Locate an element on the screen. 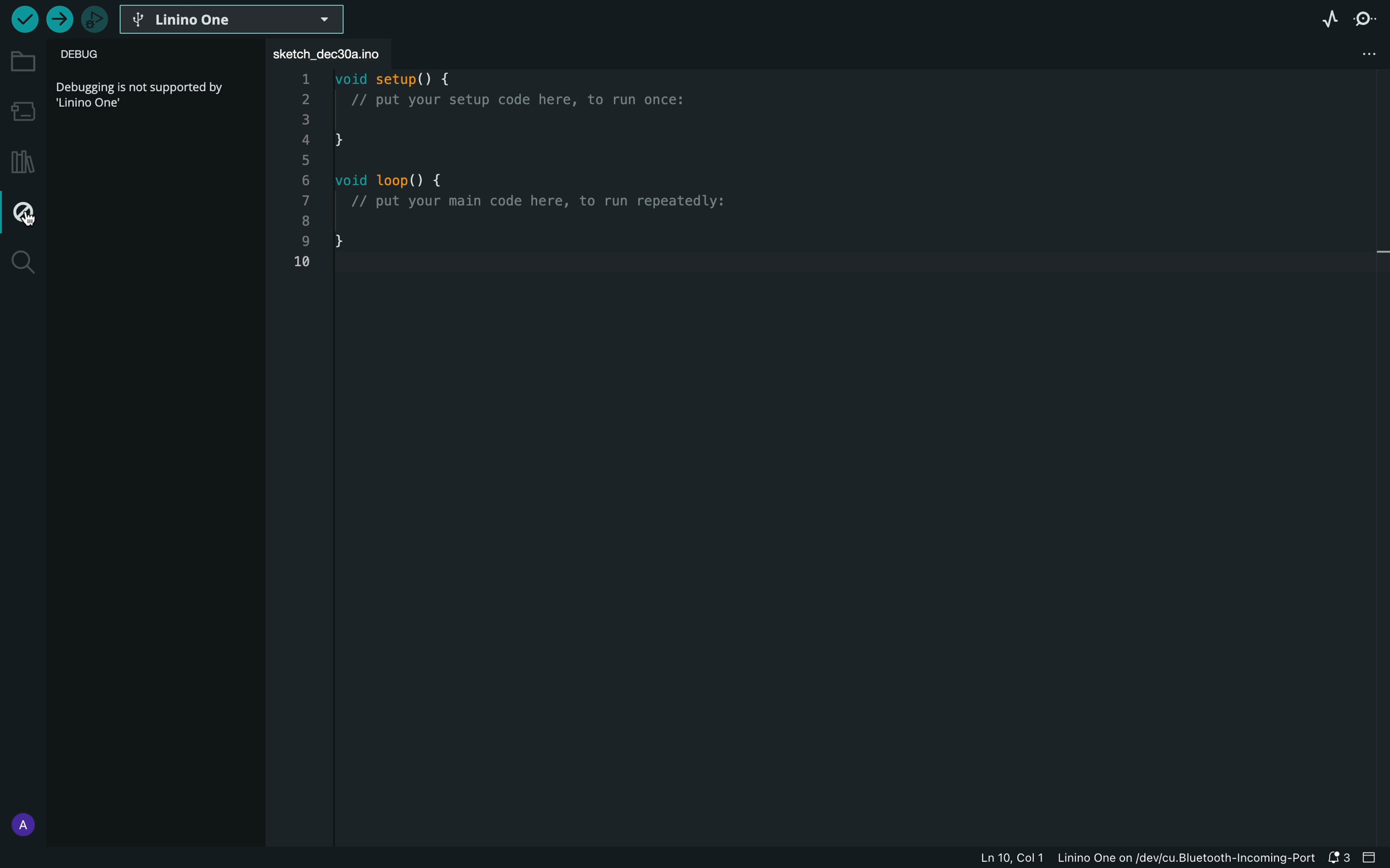  profile is located at coordinates (21, 820).